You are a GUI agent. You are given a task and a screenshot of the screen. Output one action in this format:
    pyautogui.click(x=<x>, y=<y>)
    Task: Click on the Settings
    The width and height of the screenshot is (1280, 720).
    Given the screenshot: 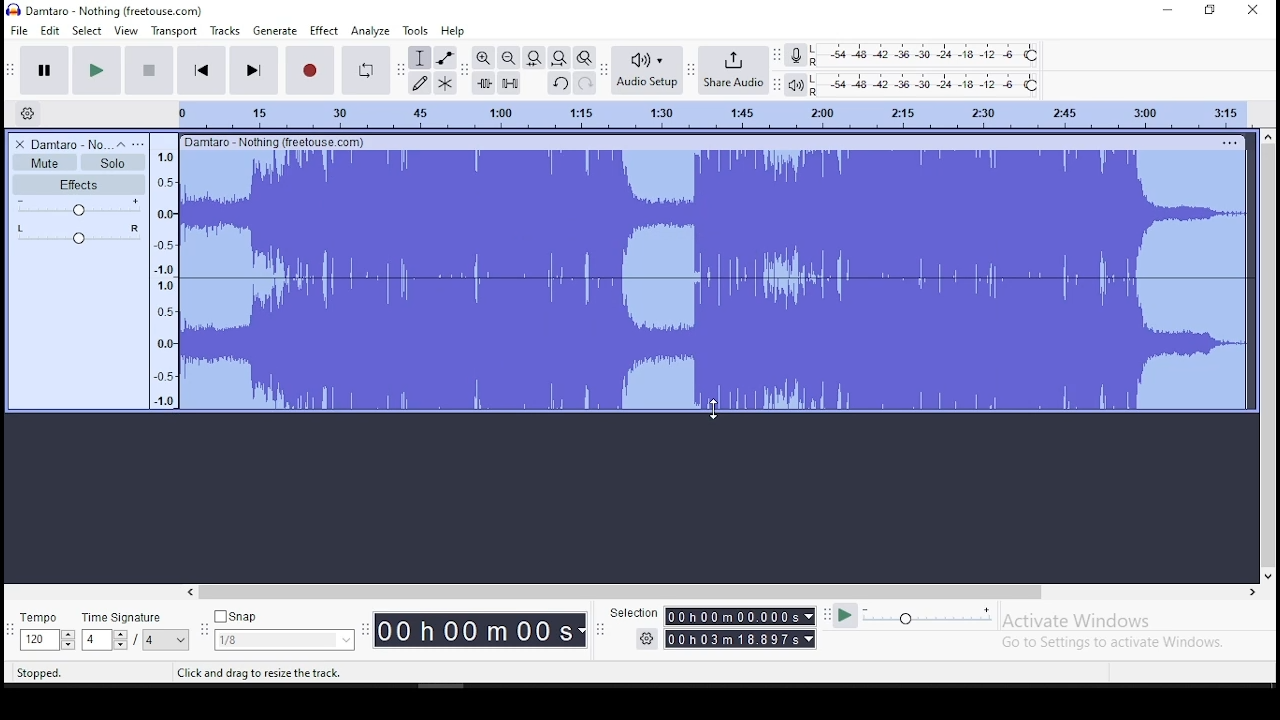 What is the action you would take?
    pyautogui.click(x=646, y=639)
    